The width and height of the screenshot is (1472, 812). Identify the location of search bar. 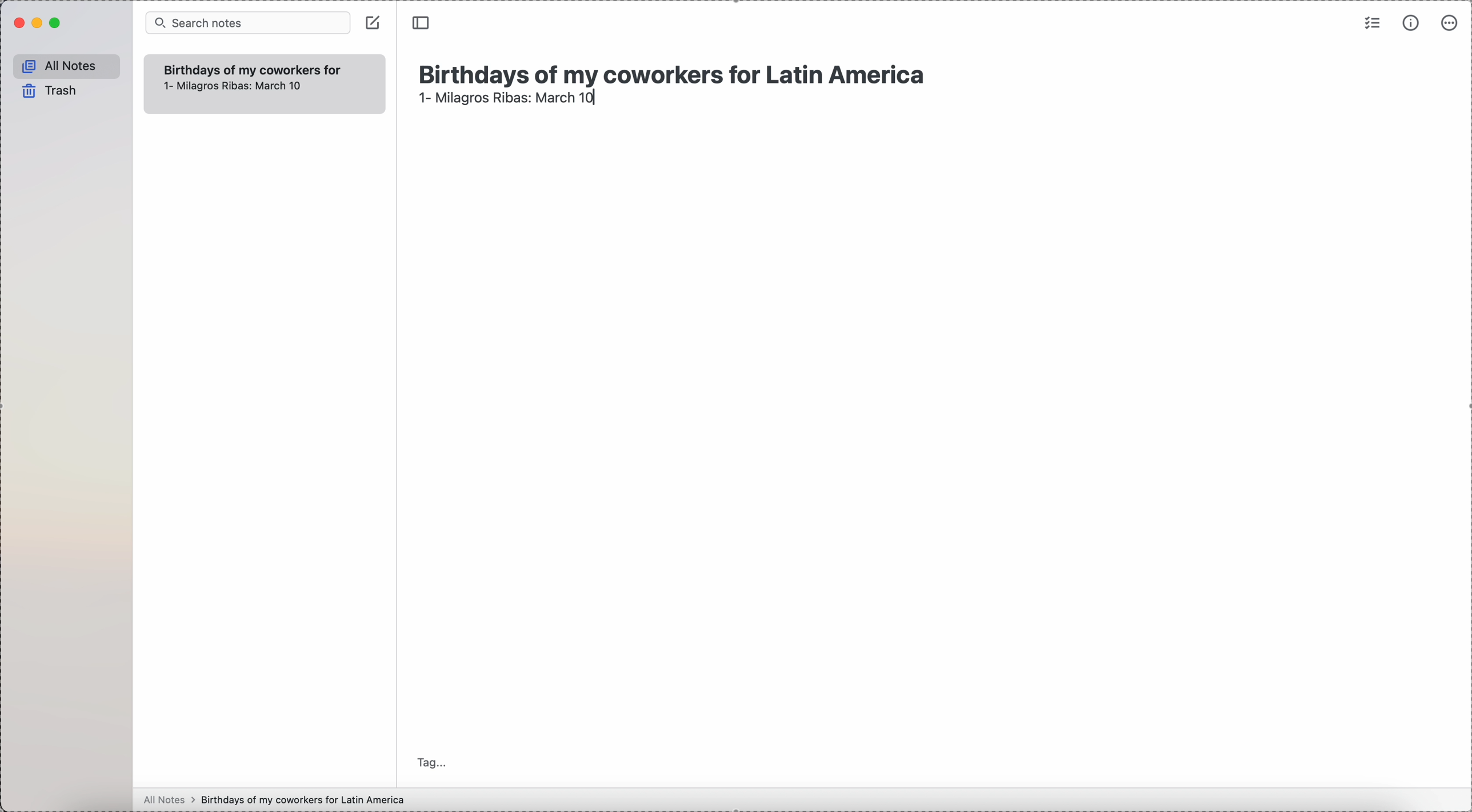
(247, 22).